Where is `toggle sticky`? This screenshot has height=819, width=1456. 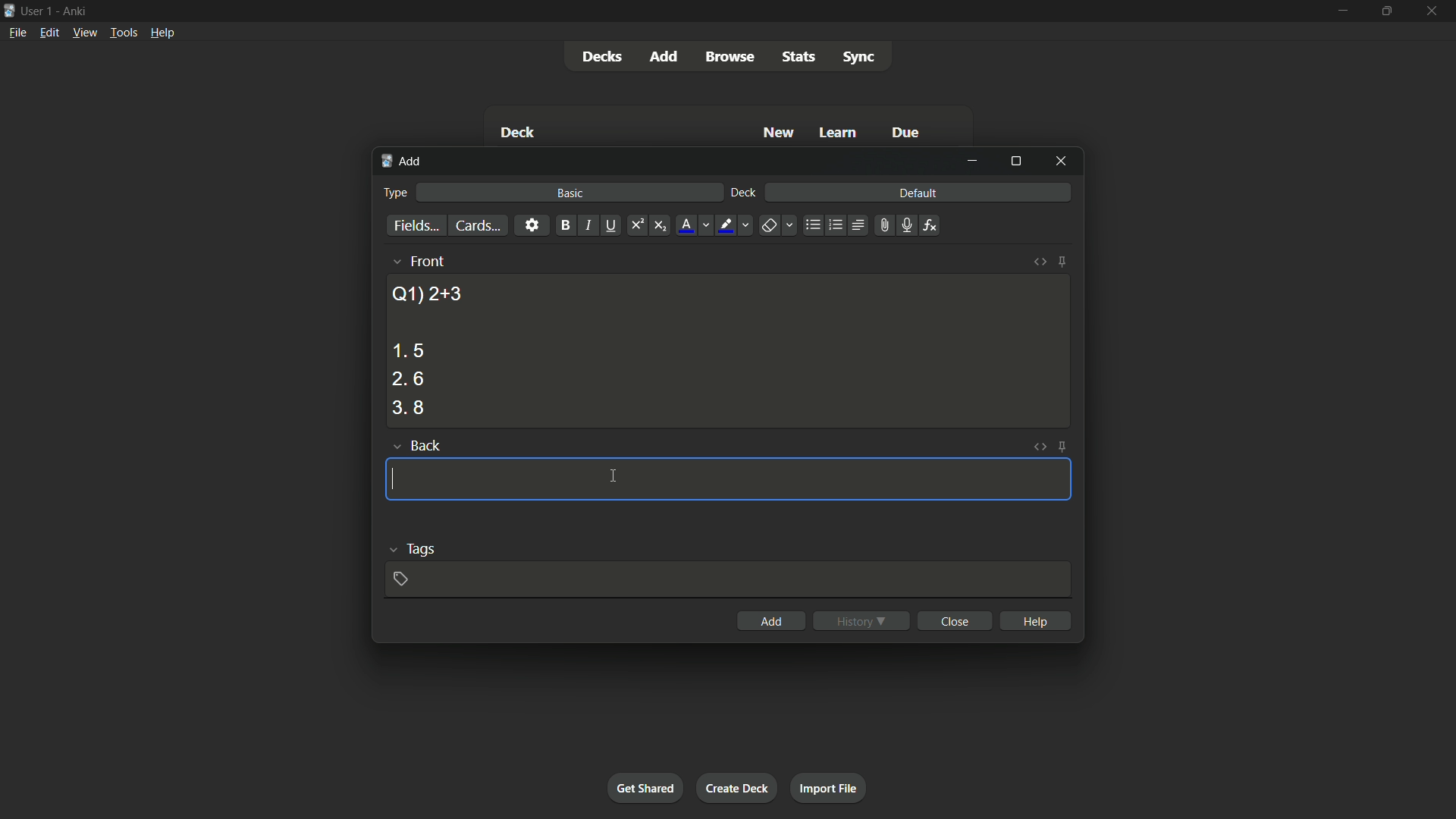 toggle sticky is located at coordinates (1063, 447).